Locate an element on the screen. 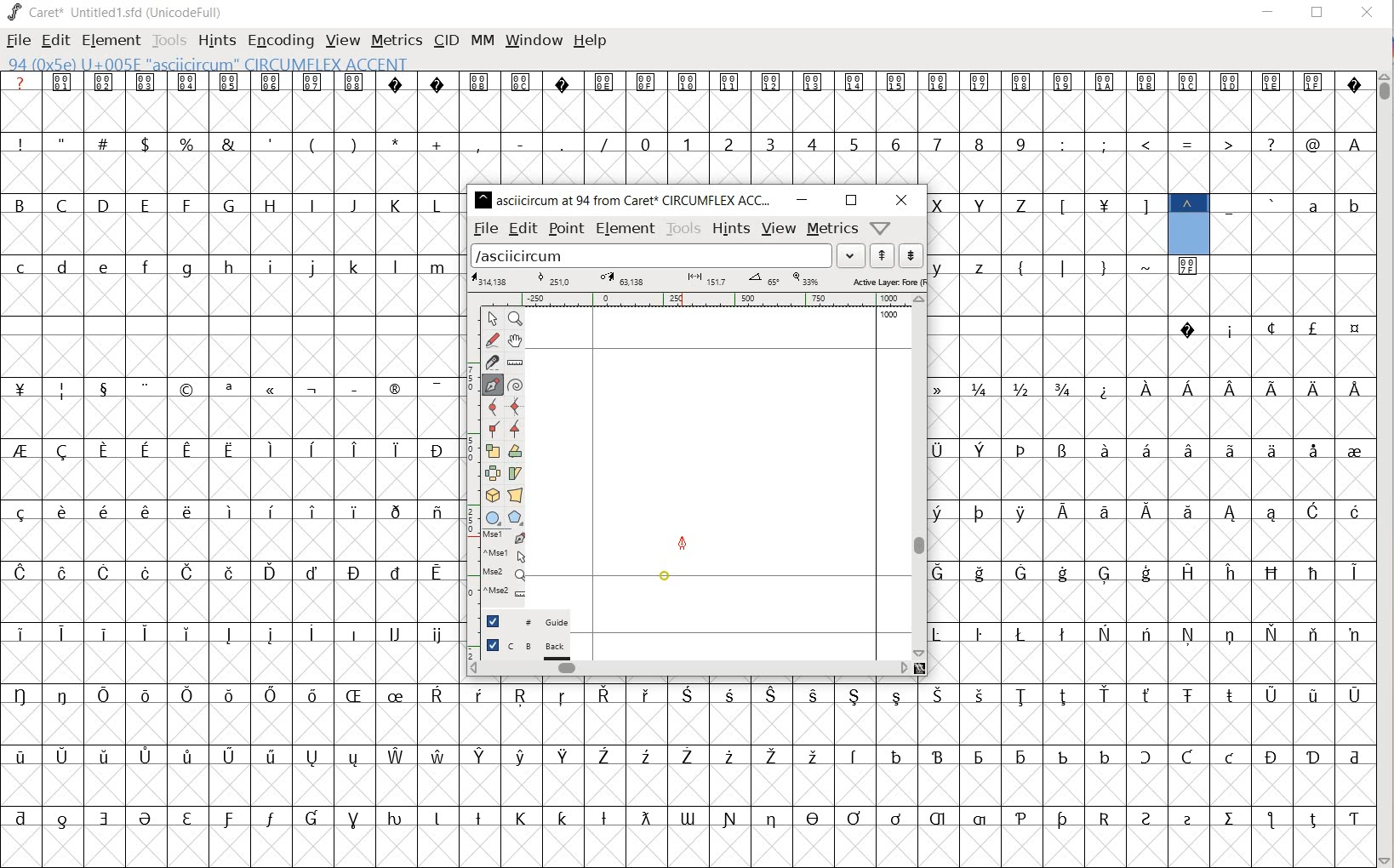  POINTER is located at coordinates (494, 320).